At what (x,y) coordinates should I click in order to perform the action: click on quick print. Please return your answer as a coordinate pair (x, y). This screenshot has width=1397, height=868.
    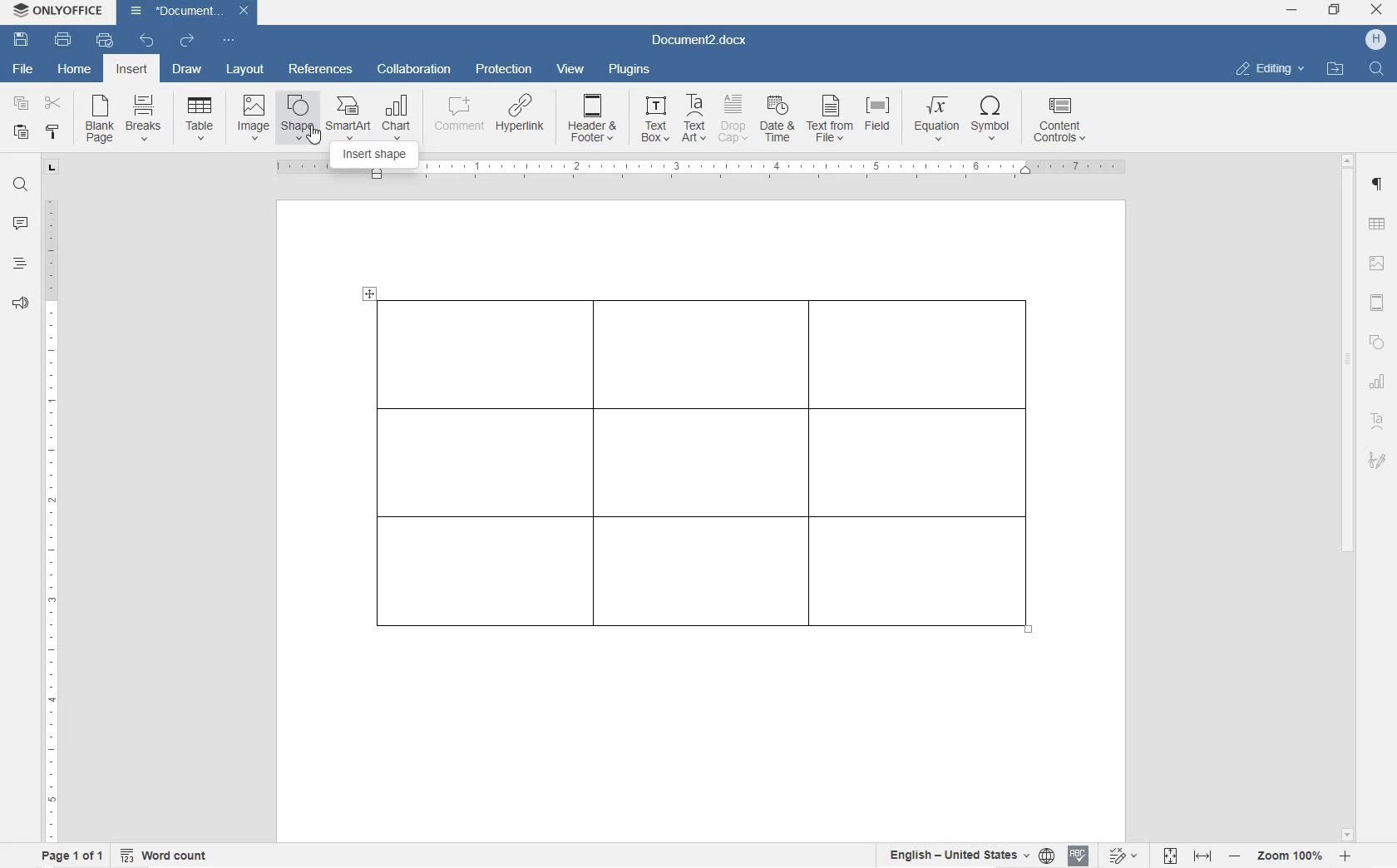
    Looking at the image, I should click on (105, 40).